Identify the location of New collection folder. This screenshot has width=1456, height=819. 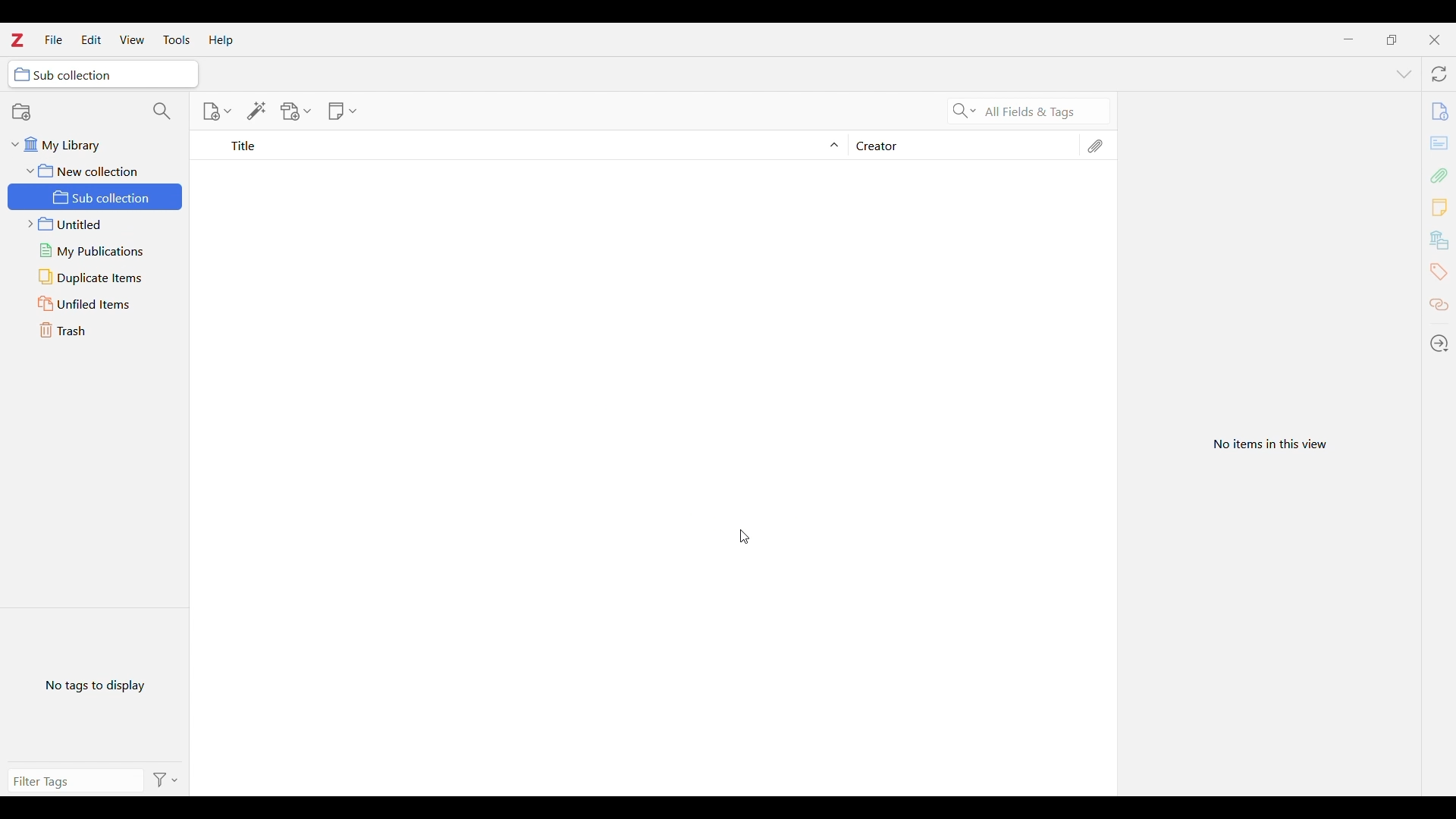
(95, 171).